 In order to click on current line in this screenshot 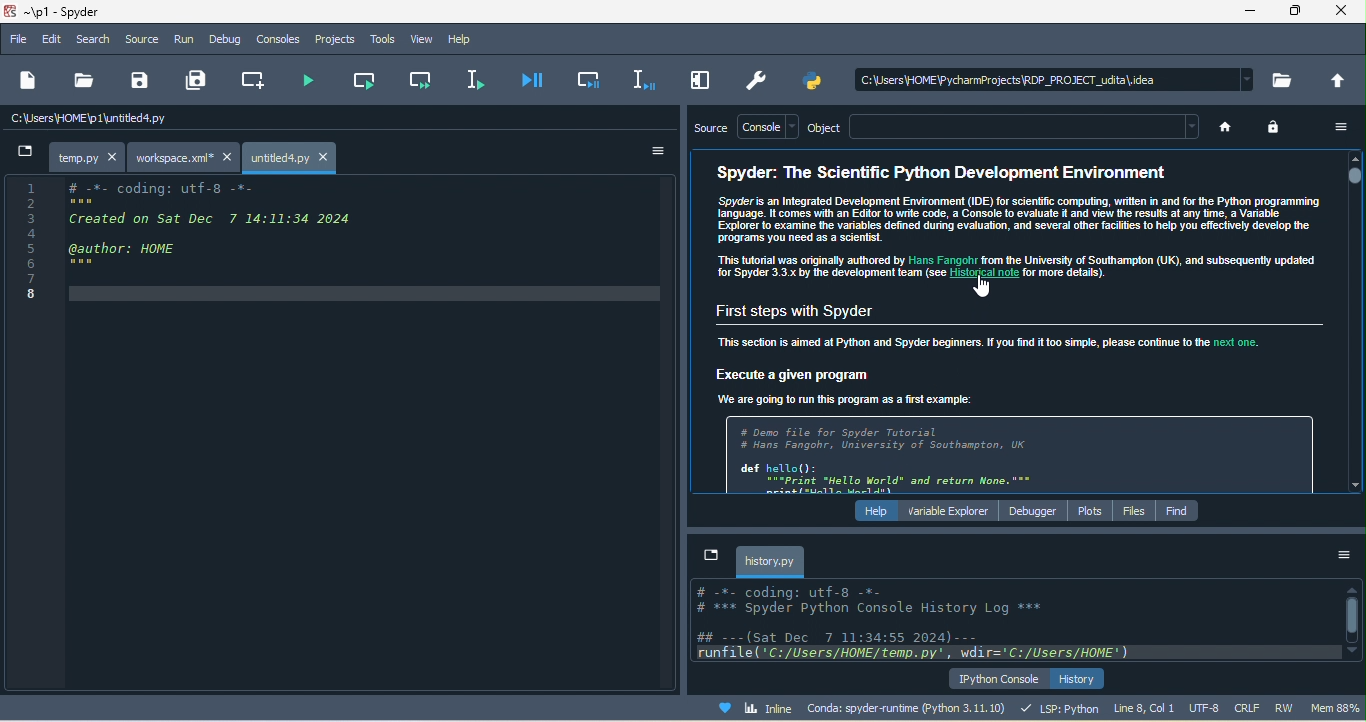, I will do `click(482, 77)`.